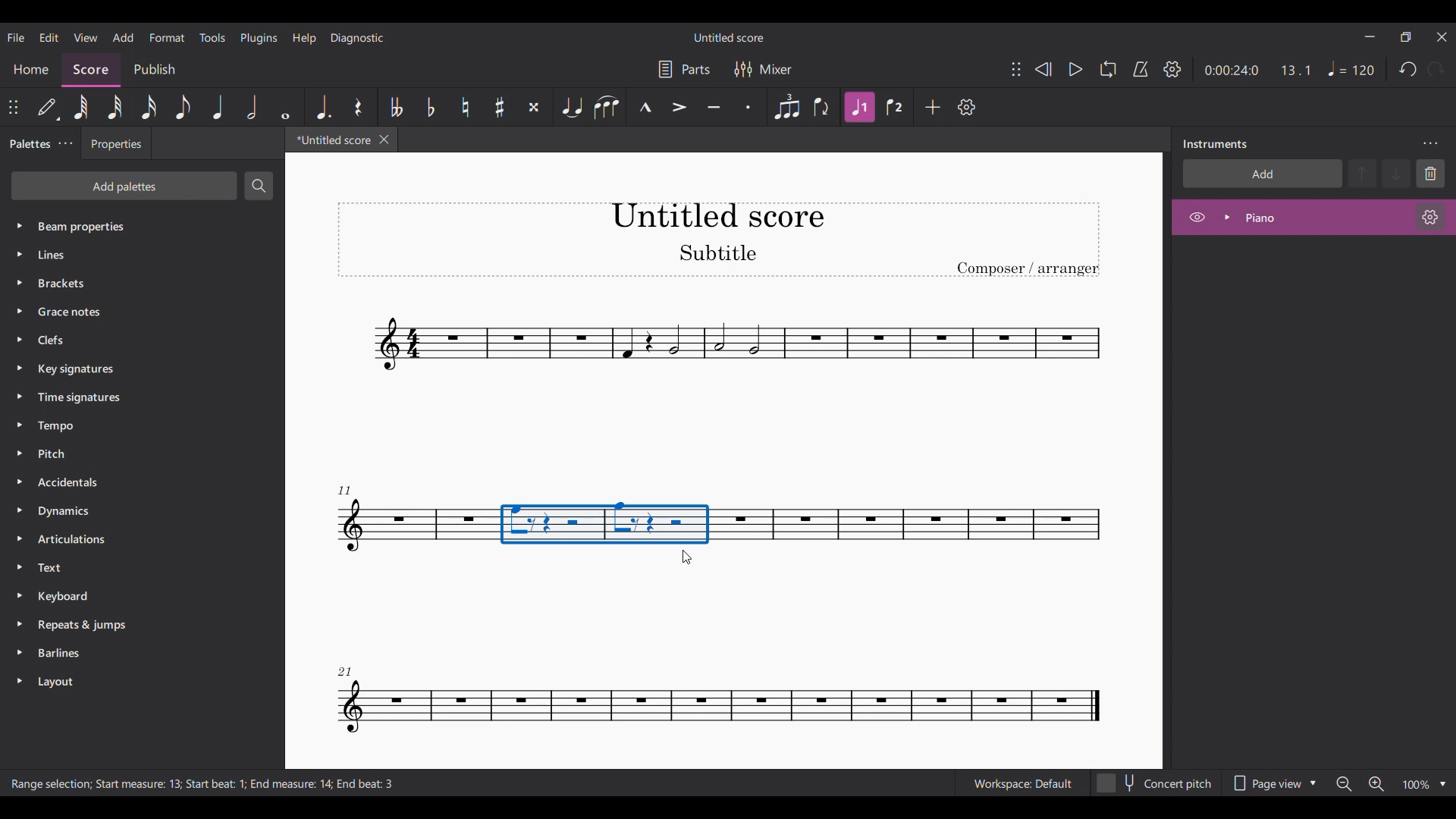 The image size is (1456, 819). What do you see at coordinates (91, 67) in the screenshot?
I see `Score, current section highlighted` at bounding box center [91, 67].